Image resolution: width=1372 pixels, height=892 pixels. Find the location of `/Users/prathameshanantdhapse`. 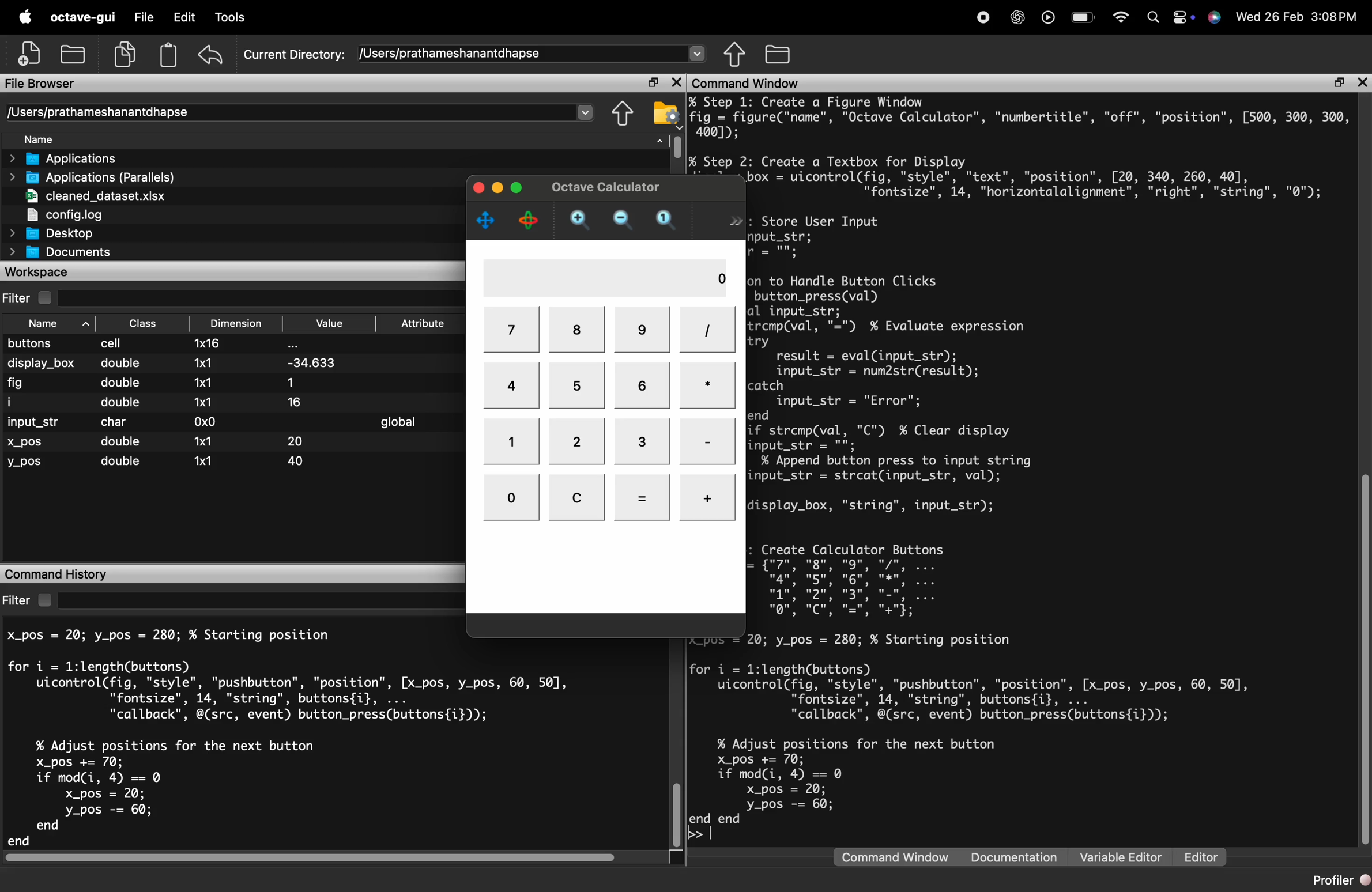

/Users/prathameshanantdhapse is located at coordinates (536, 52).